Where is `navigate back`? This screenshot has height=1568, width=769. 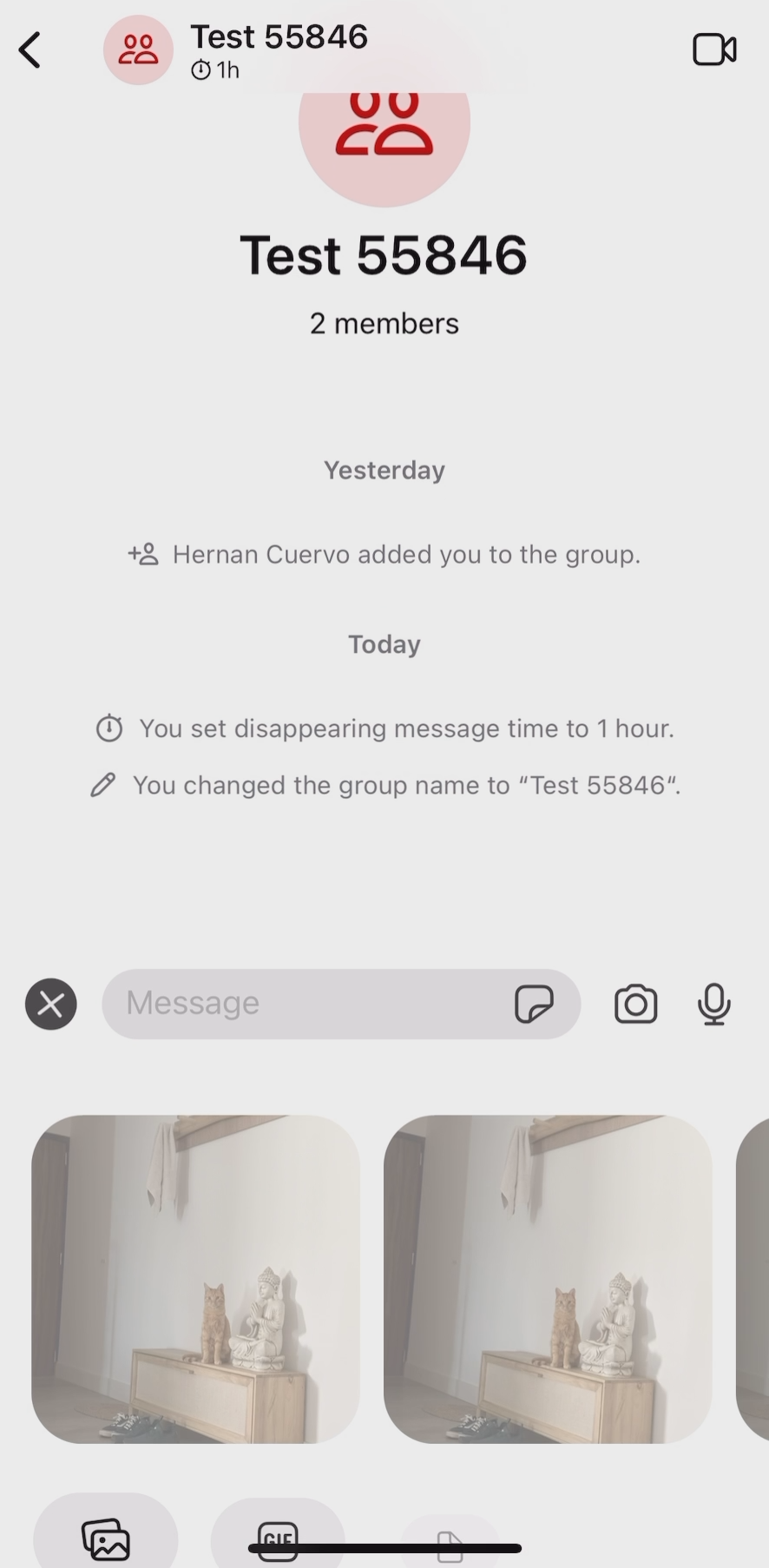 navigate back is located at coordinates (31, 51).